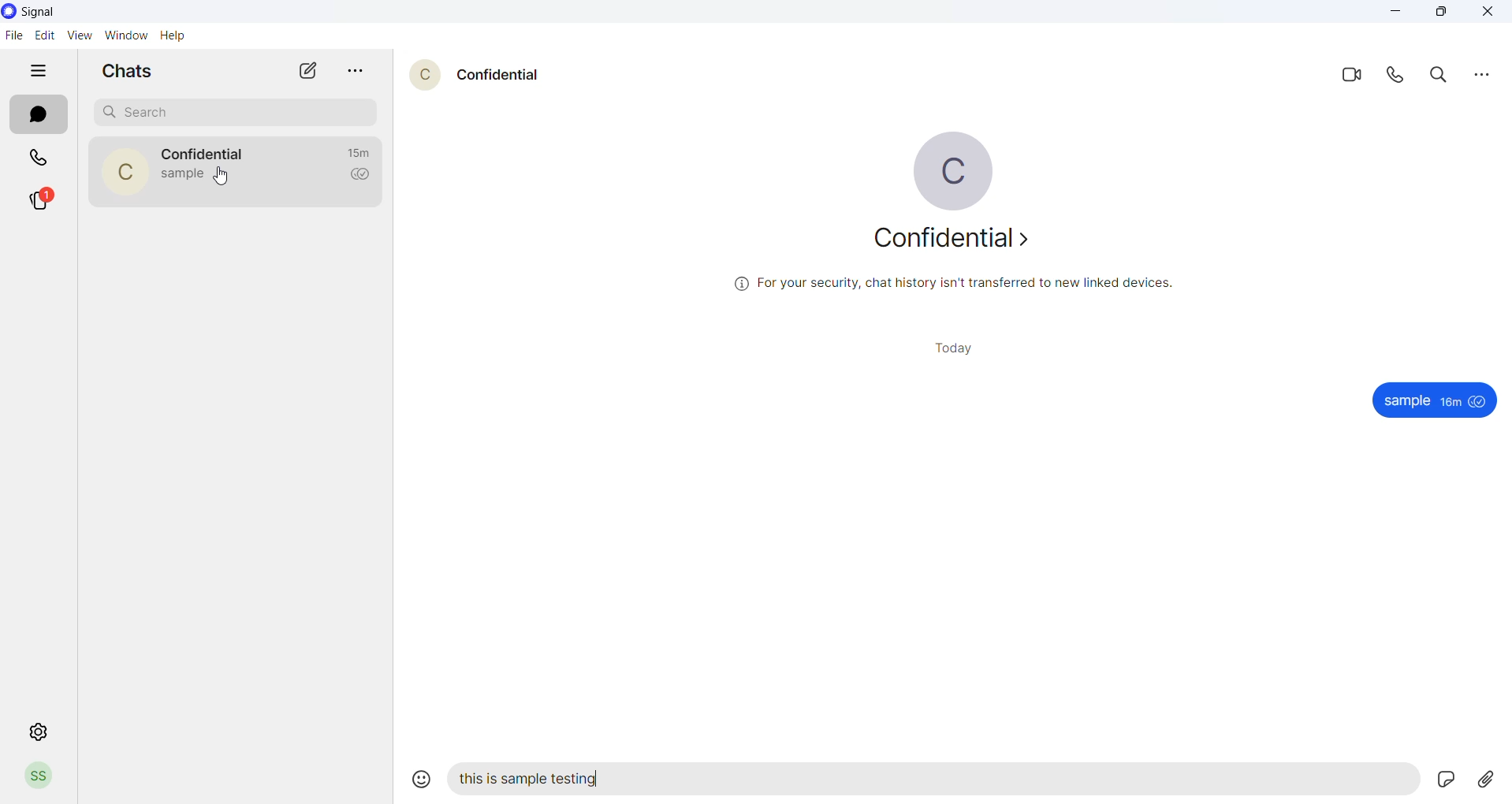 The image size is (1512, 804). I want to click on seen, so click(1479, 403).